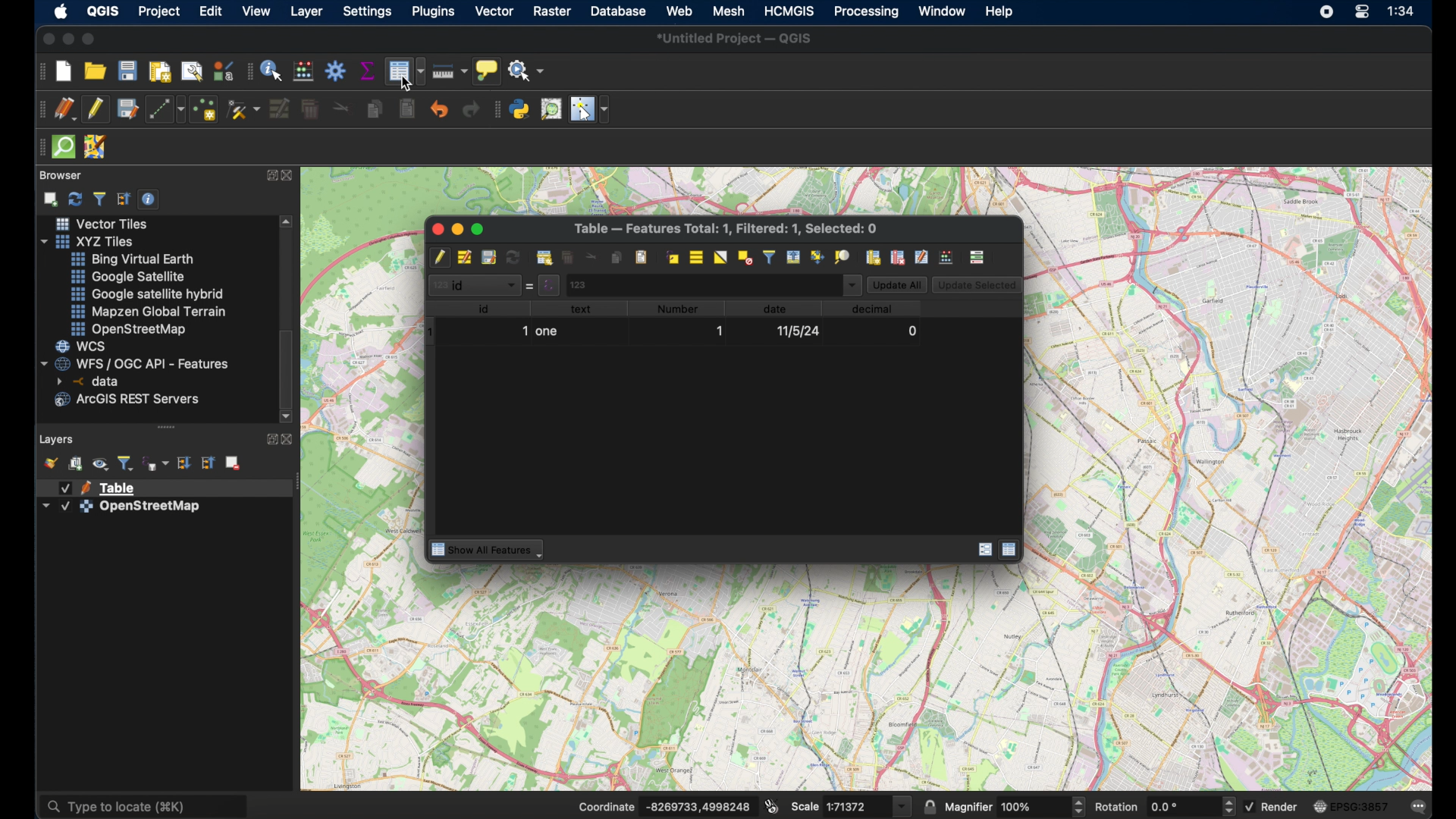  What do you see at coordinates (369, 71) in the screenshot?
I see `show statistical summary` at bounding box center [369, 71].